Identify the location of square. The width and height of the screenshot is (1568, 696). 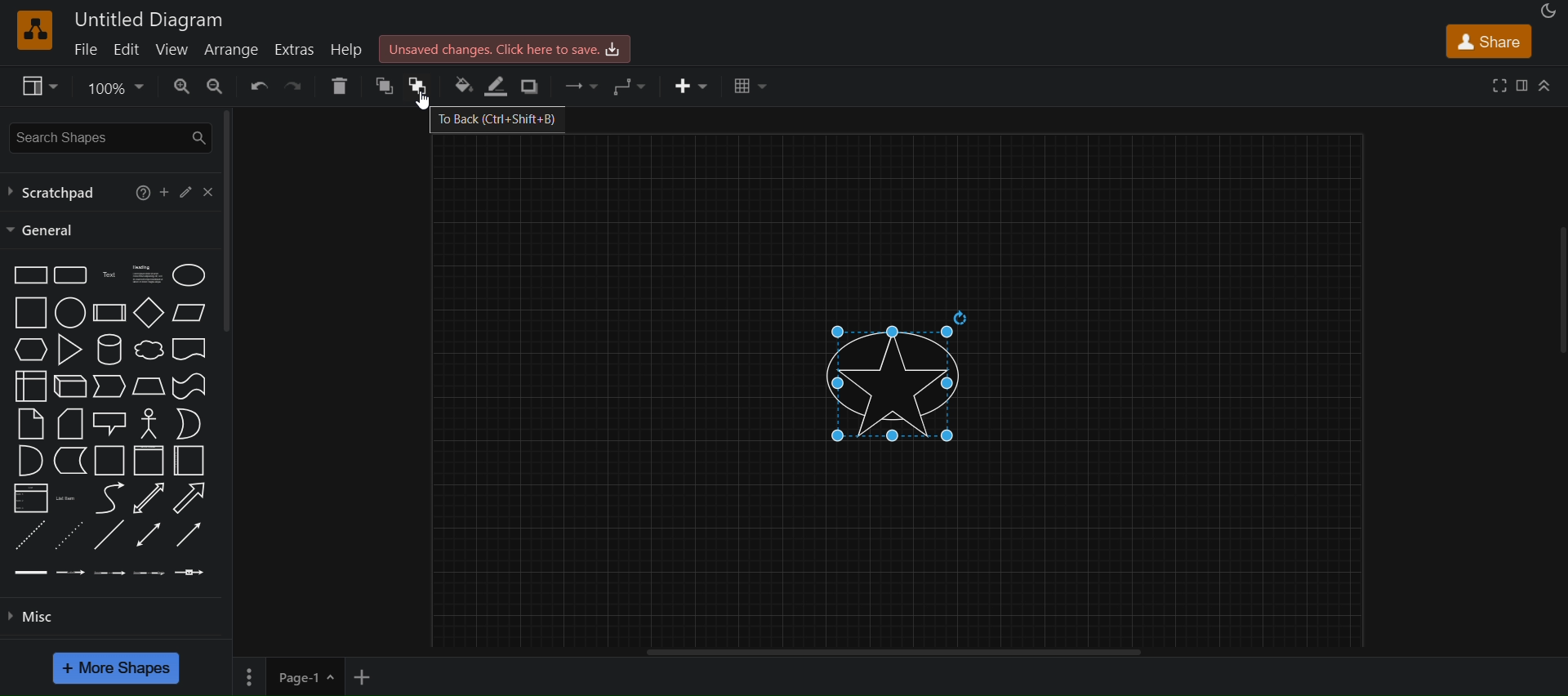
(31, 311).